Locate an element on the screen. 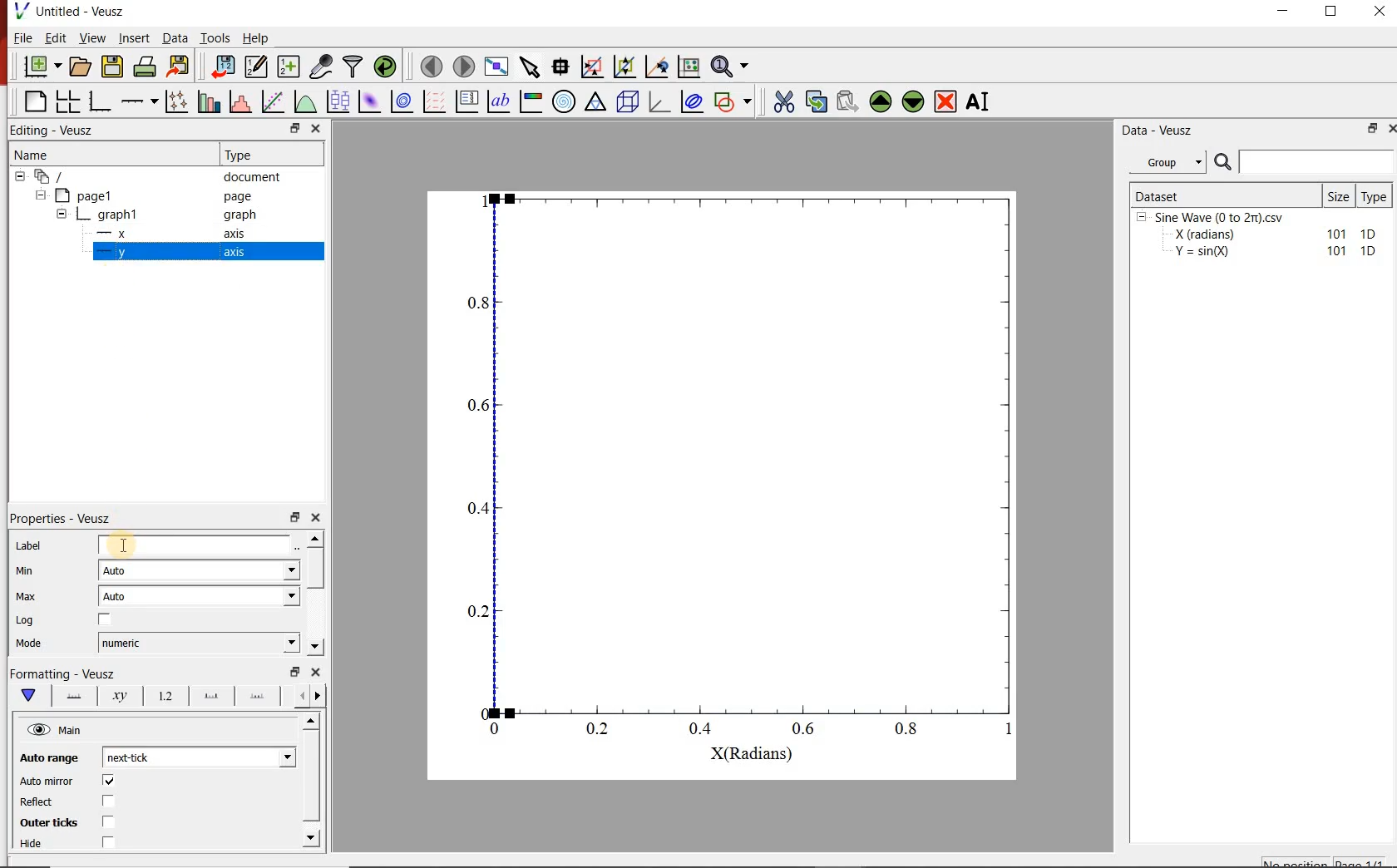 The height and width of the screenshot is (868, 1397). Textbox is located at coordinates (195, 545).